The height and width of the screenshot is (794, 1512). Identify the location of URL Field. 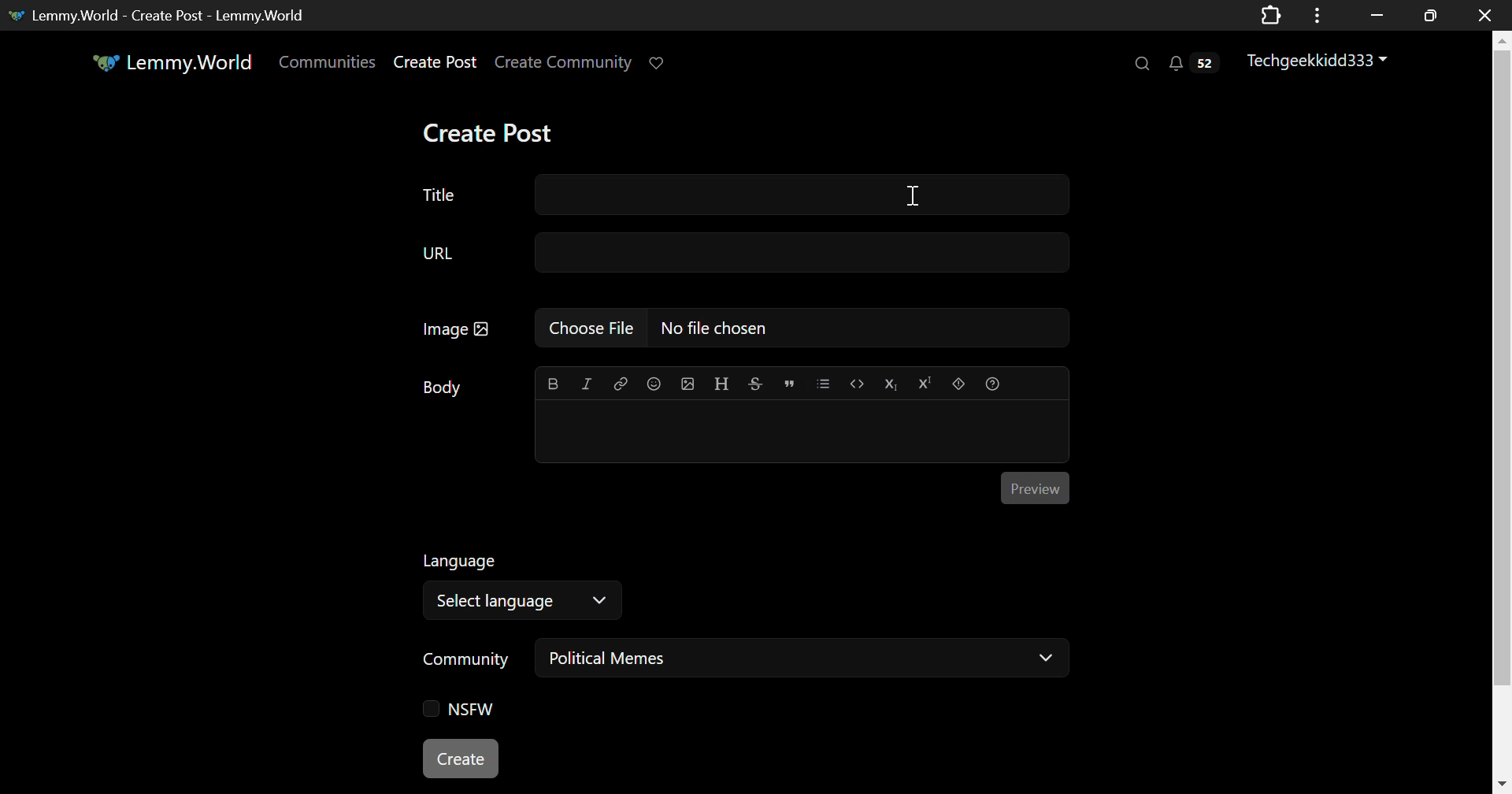
(746, 252).